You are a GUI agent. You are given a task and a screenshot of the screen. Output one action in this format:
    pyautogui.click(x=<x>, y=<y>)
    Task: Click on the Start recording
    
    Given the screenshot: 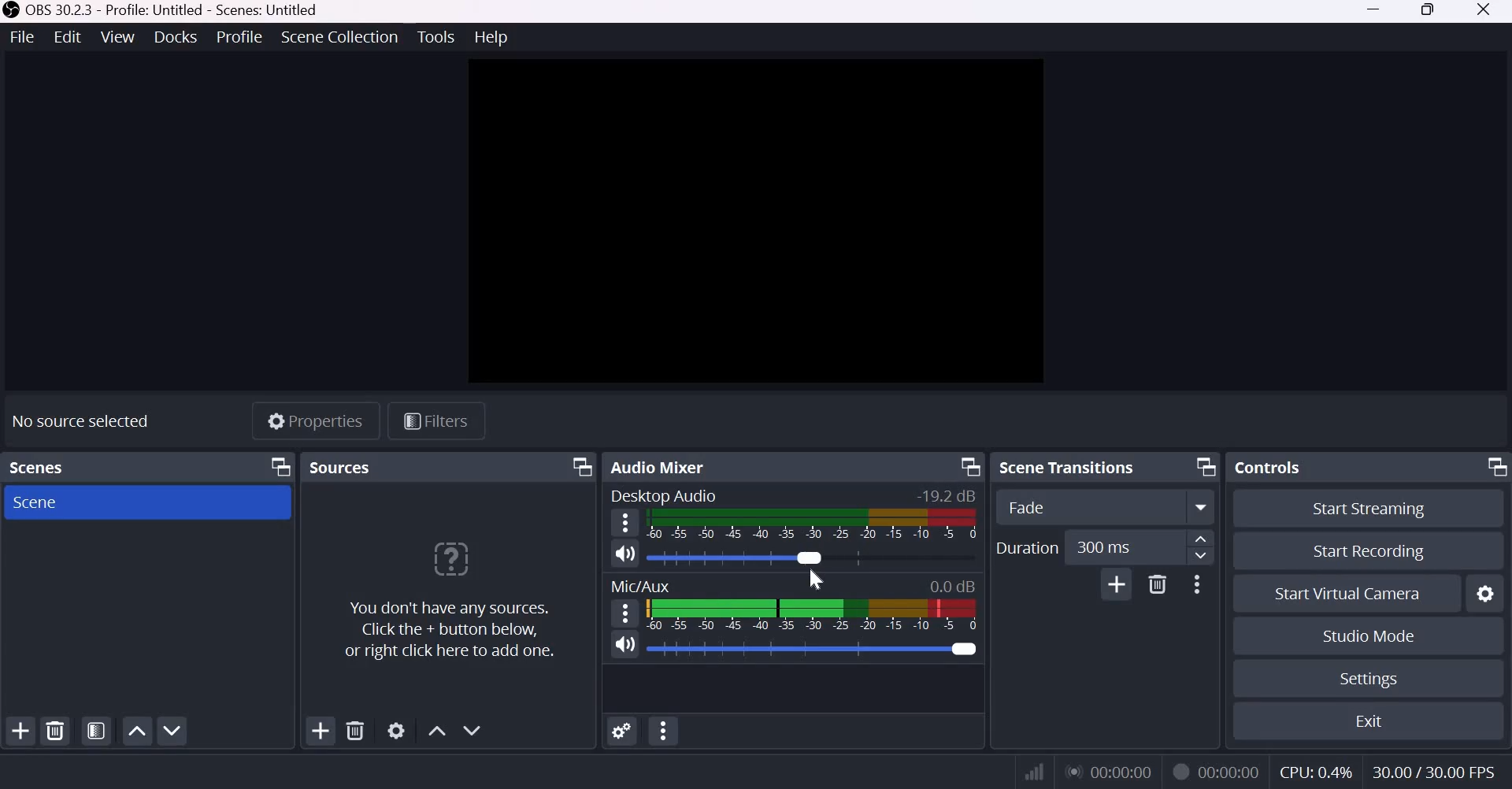 What is the action you would take?
    pyautogui.click(x=1367, y=551)
    